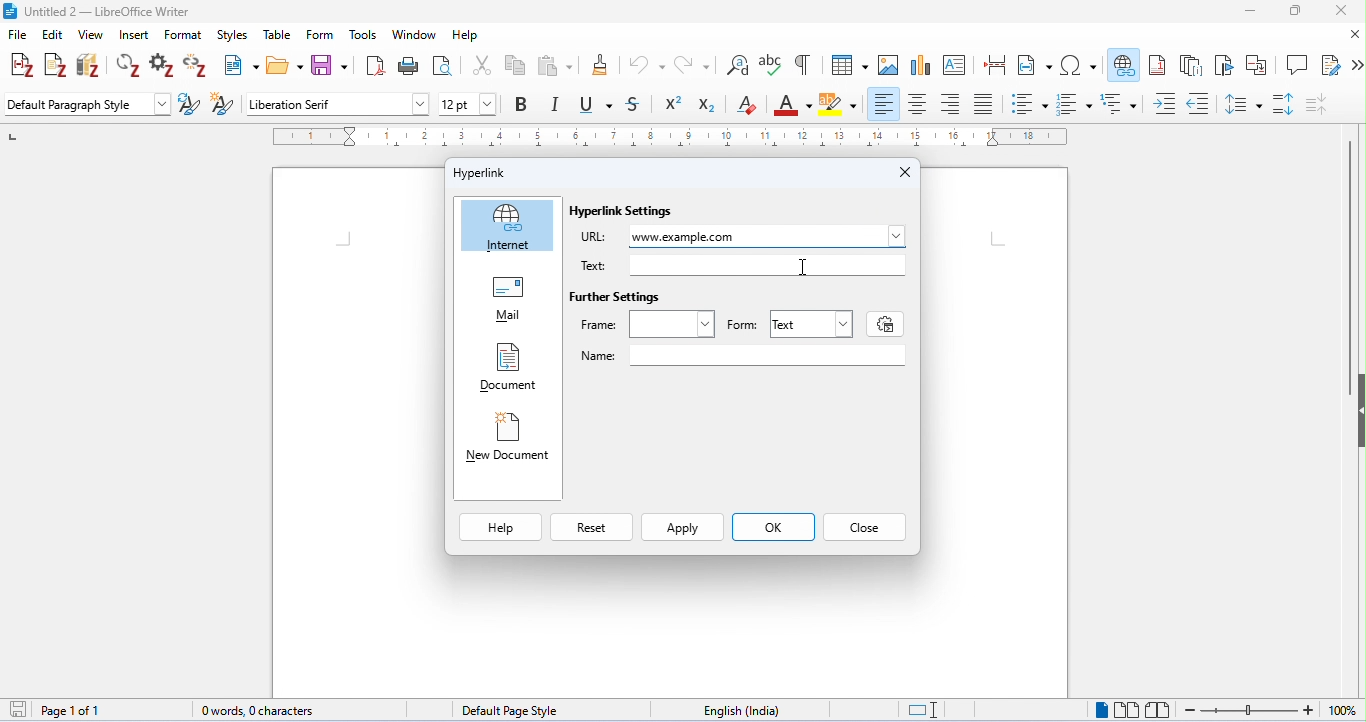 This screenshot has width=1366, height=722. Describe the element at coordinates (98, 12) in the screenshot. I see `title` at that location.